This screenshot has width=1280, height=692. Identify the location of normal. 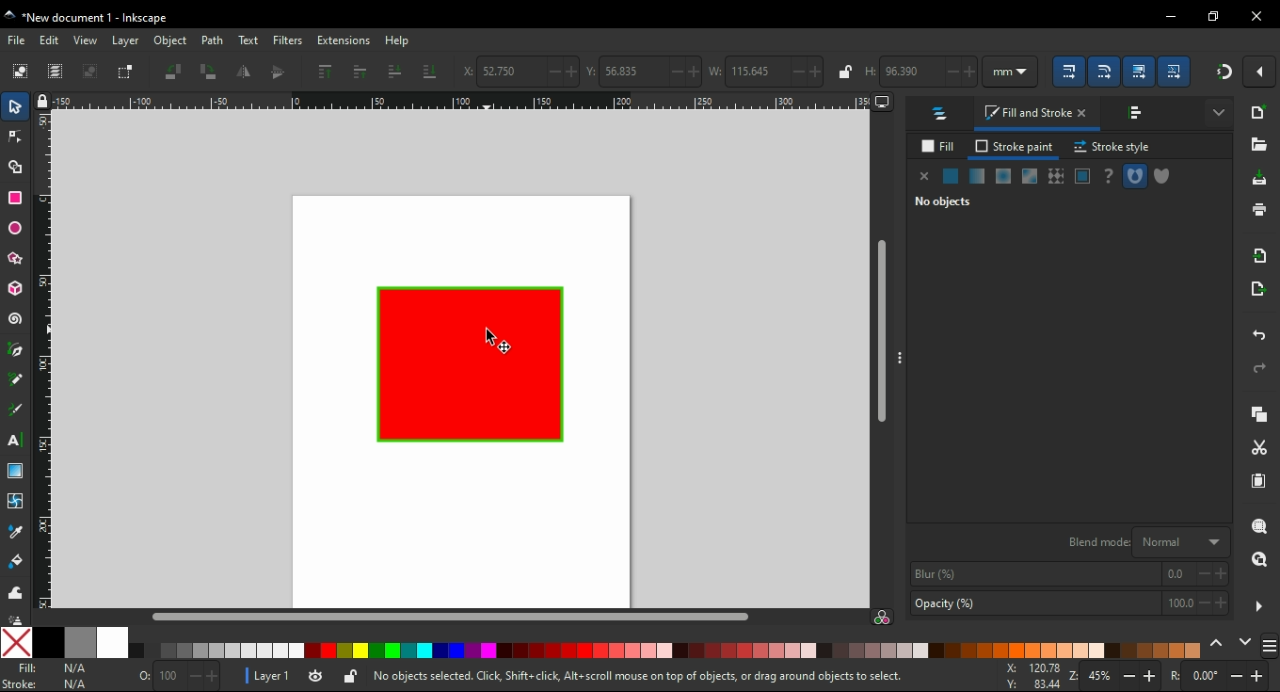
(1184, 543).